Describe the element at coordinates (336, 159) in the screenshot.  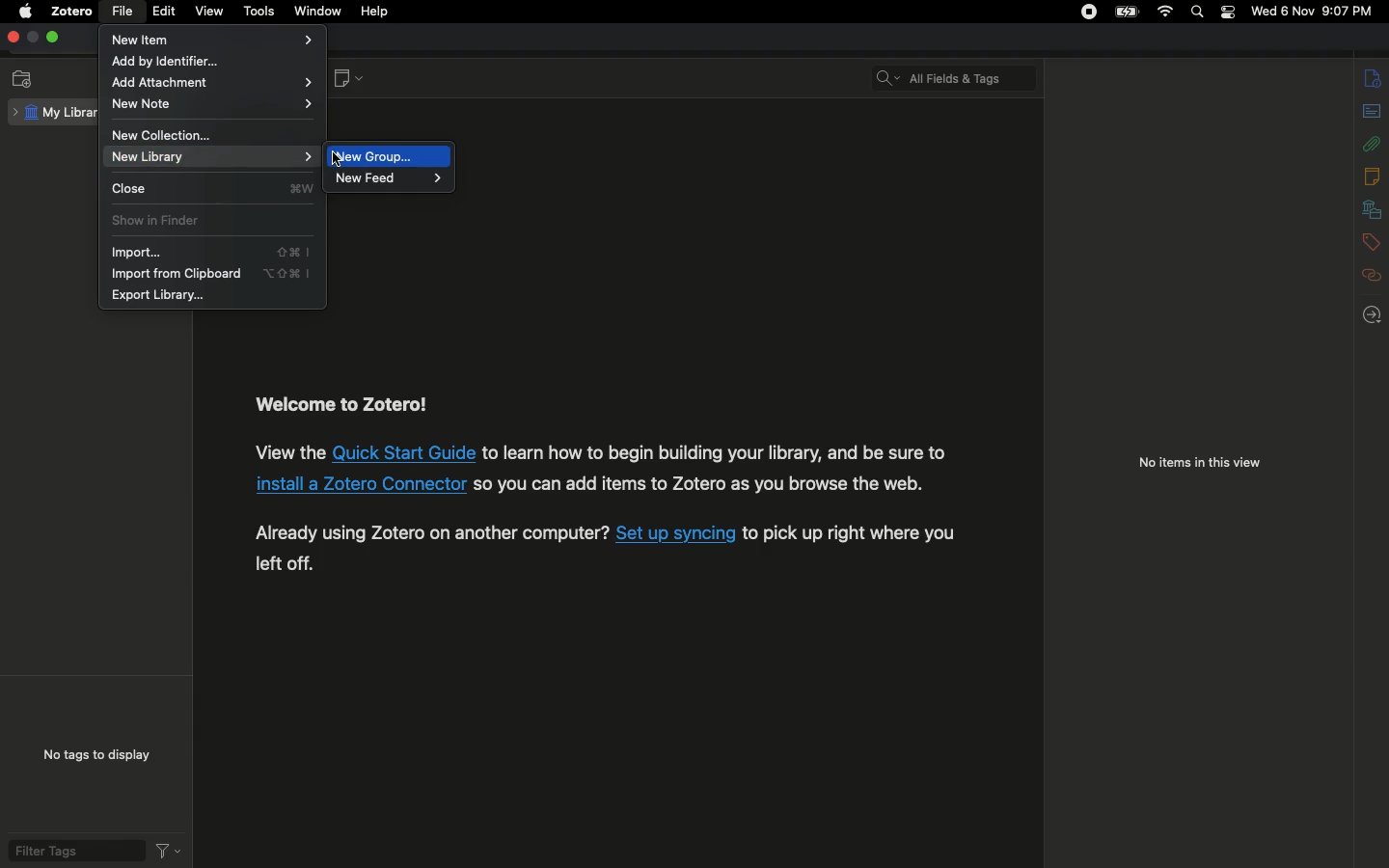
I see `cursor` at that location.